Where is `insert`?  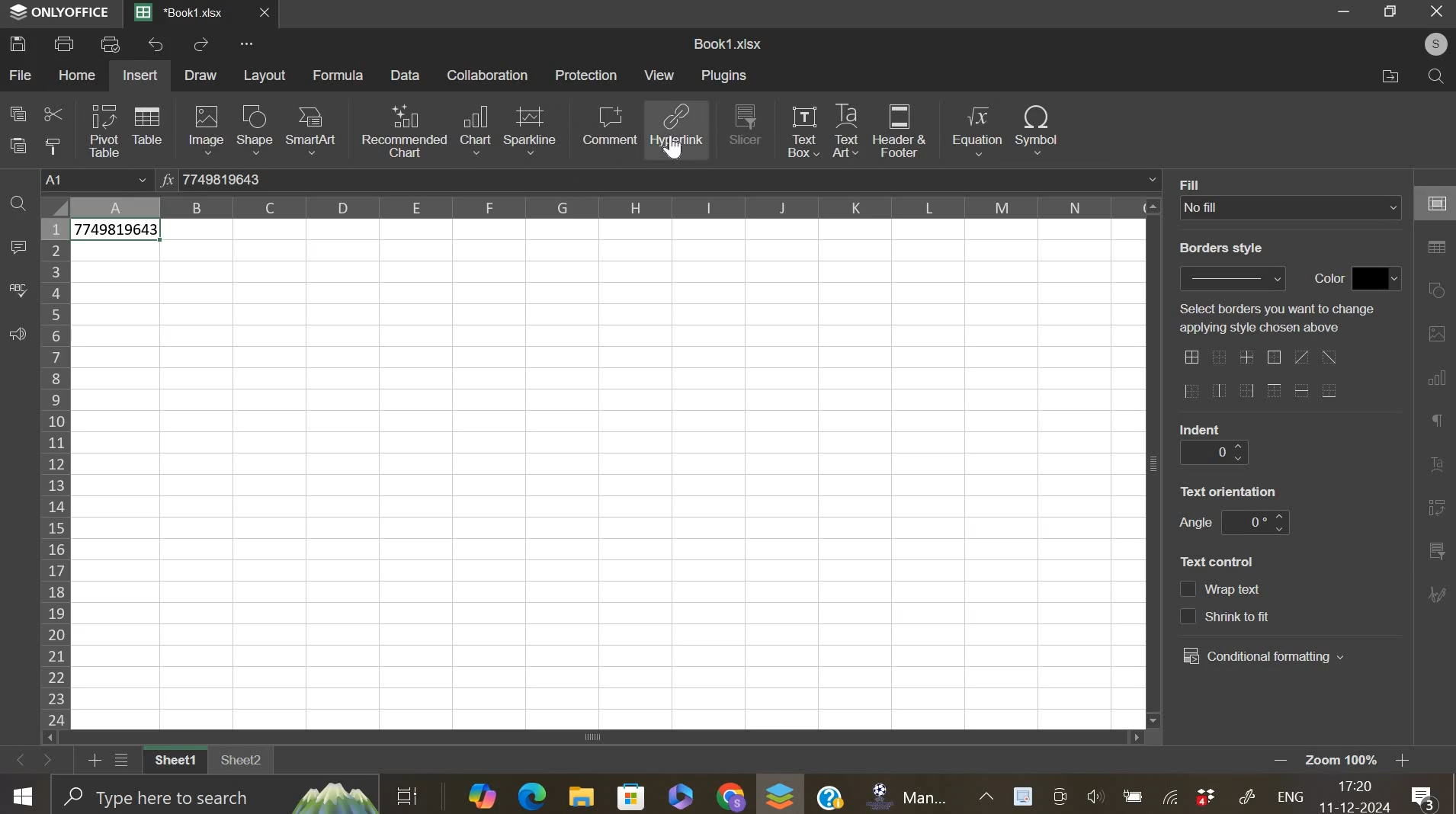
insert is located at coordinates (140, 75).